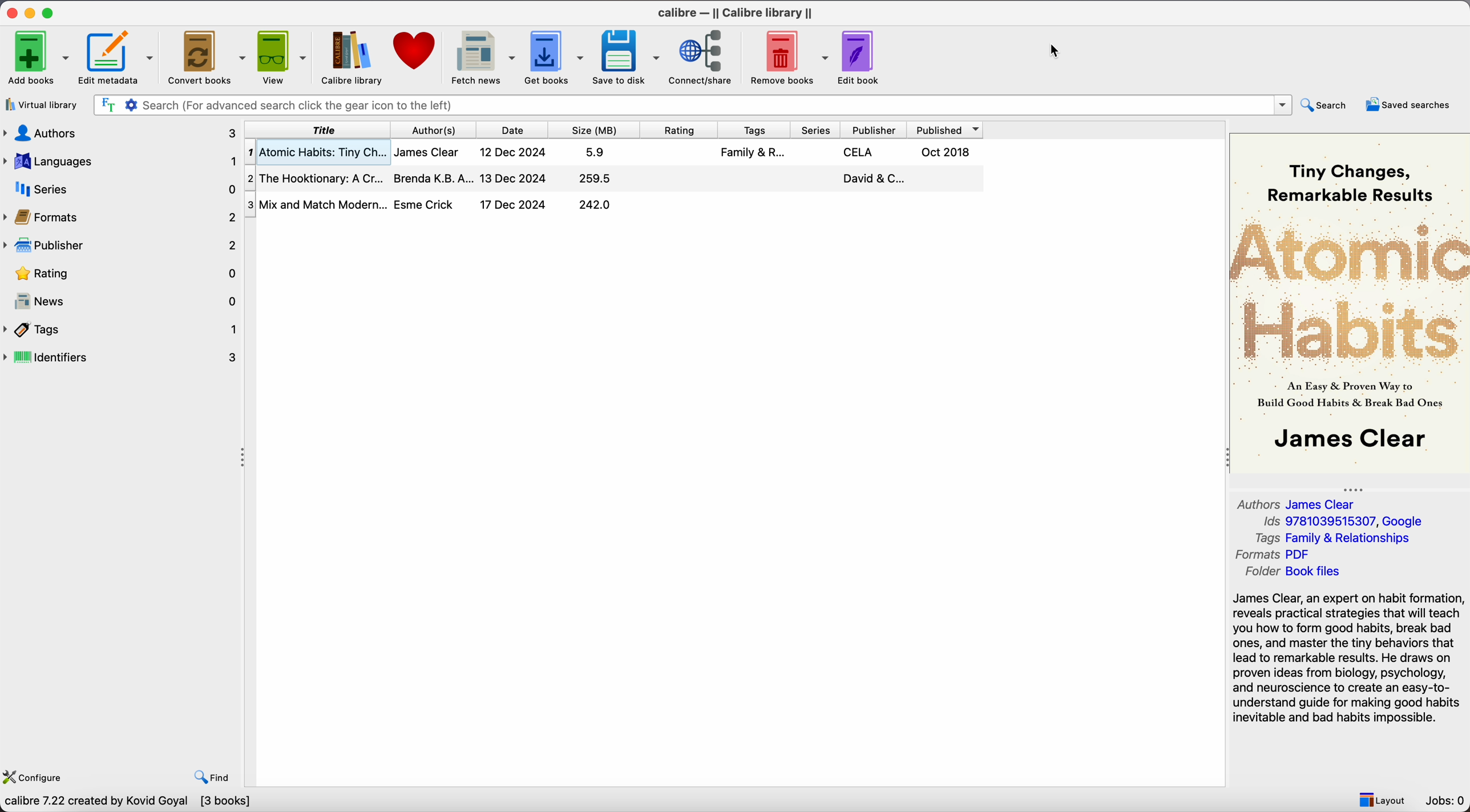 This screenshot has width=1470, height=812. What do you see at coordinates (205, 56) in the screenshot?
I see `convert books` at bounding box center [205, 56].